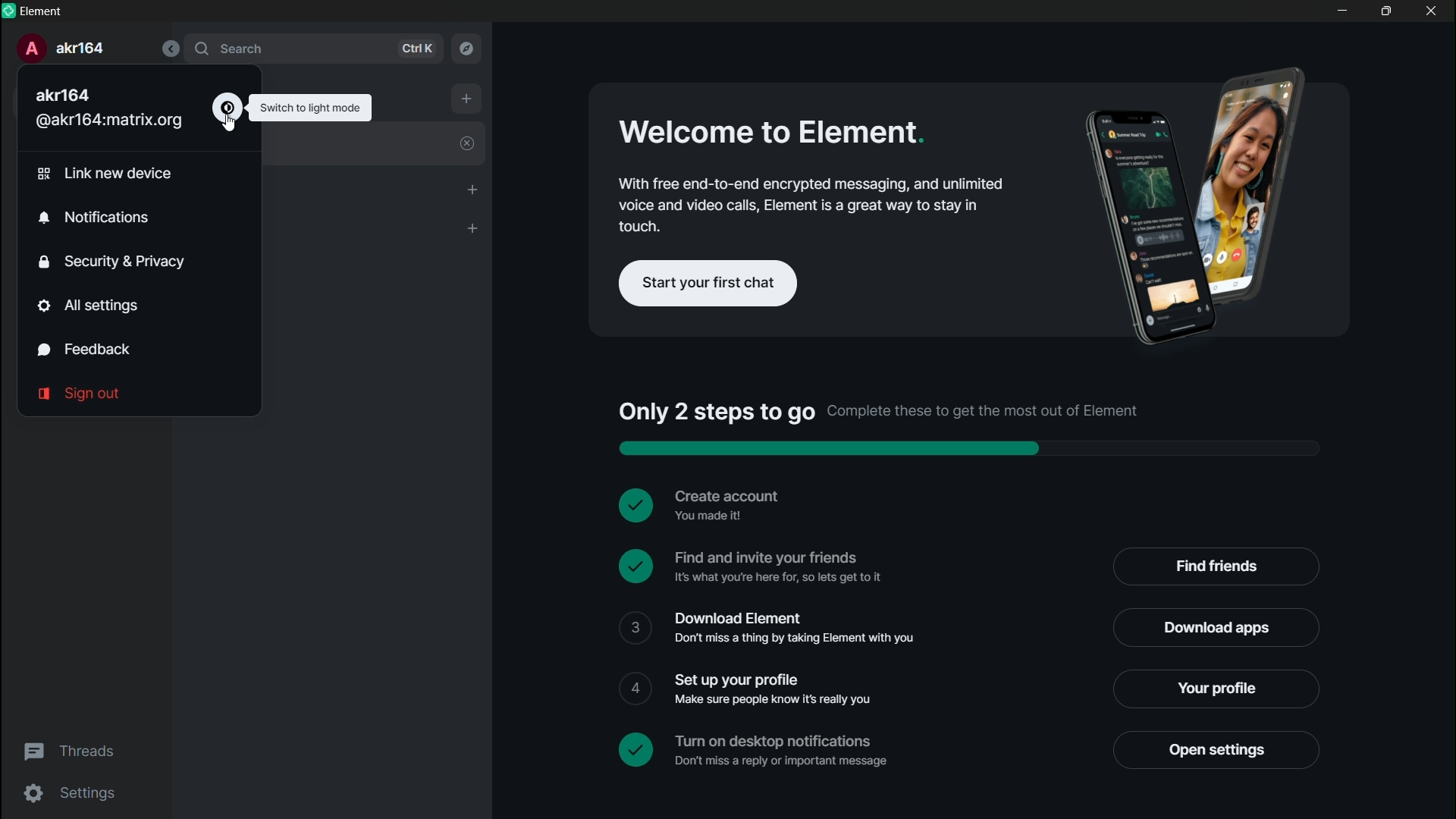  What do you see at coordinates (106, 174) in the screenshot?
I see `link new device` at bounding box center [106, 174].